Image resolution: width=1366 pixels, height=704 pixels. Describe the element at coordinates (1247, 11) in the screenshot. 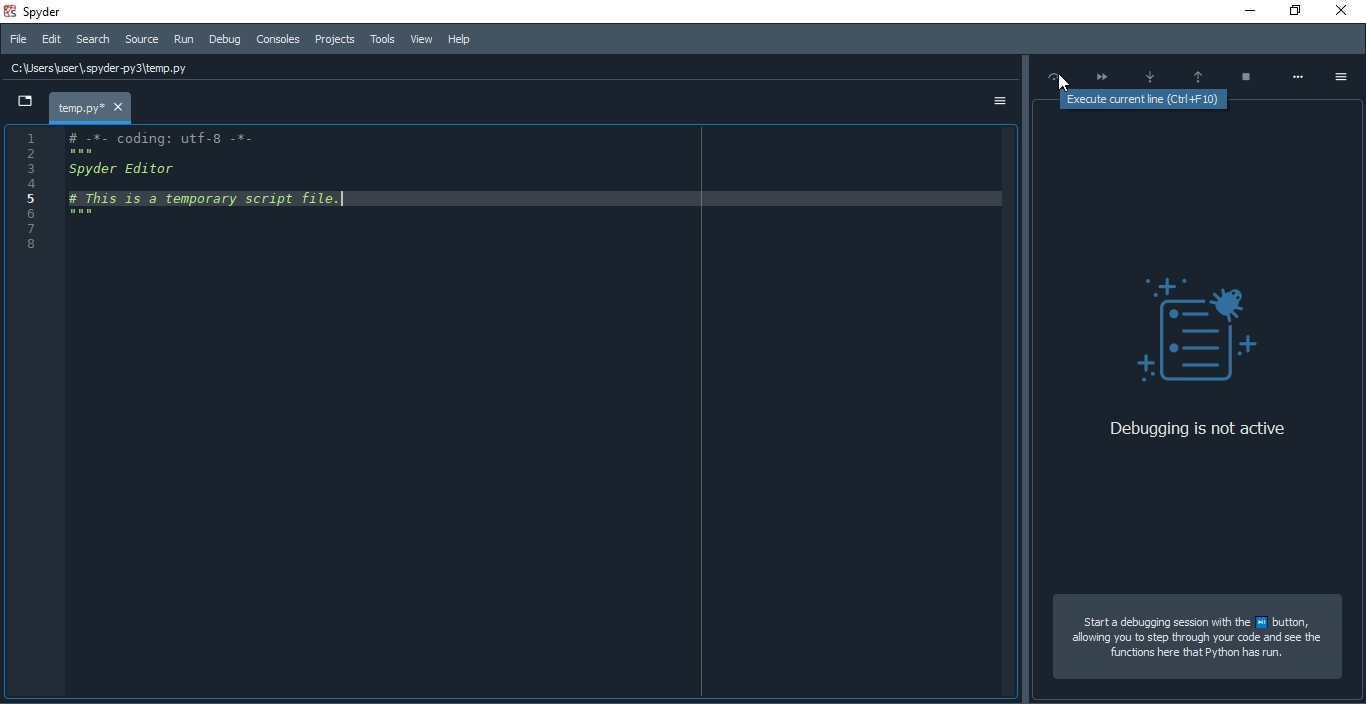

I see `minimise` at that location.